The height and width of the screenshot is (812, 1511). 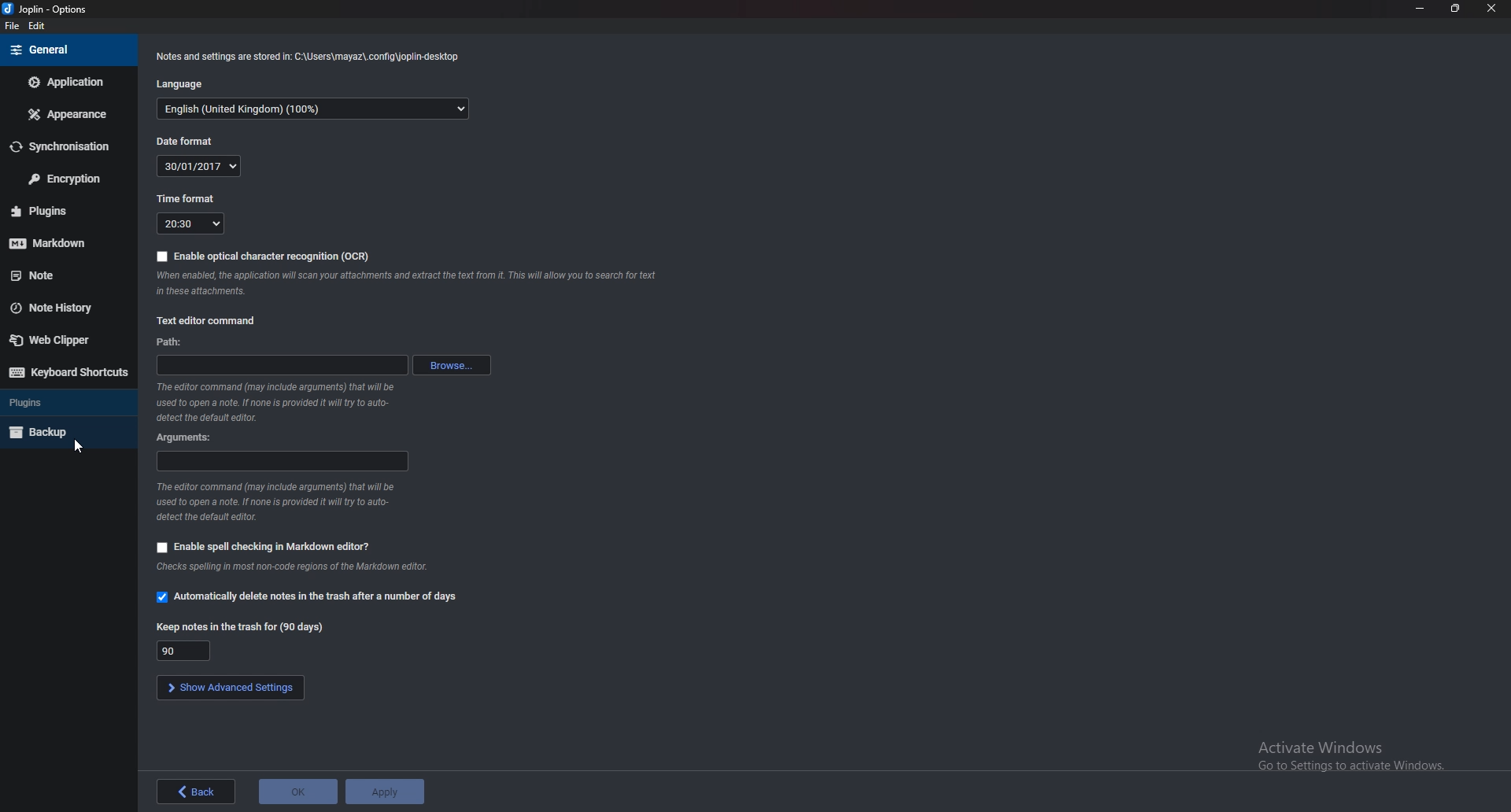 What do you see at coordinates (67, 241) in the screenshot?
I see `Markdown` at bounding box center [67, 241].